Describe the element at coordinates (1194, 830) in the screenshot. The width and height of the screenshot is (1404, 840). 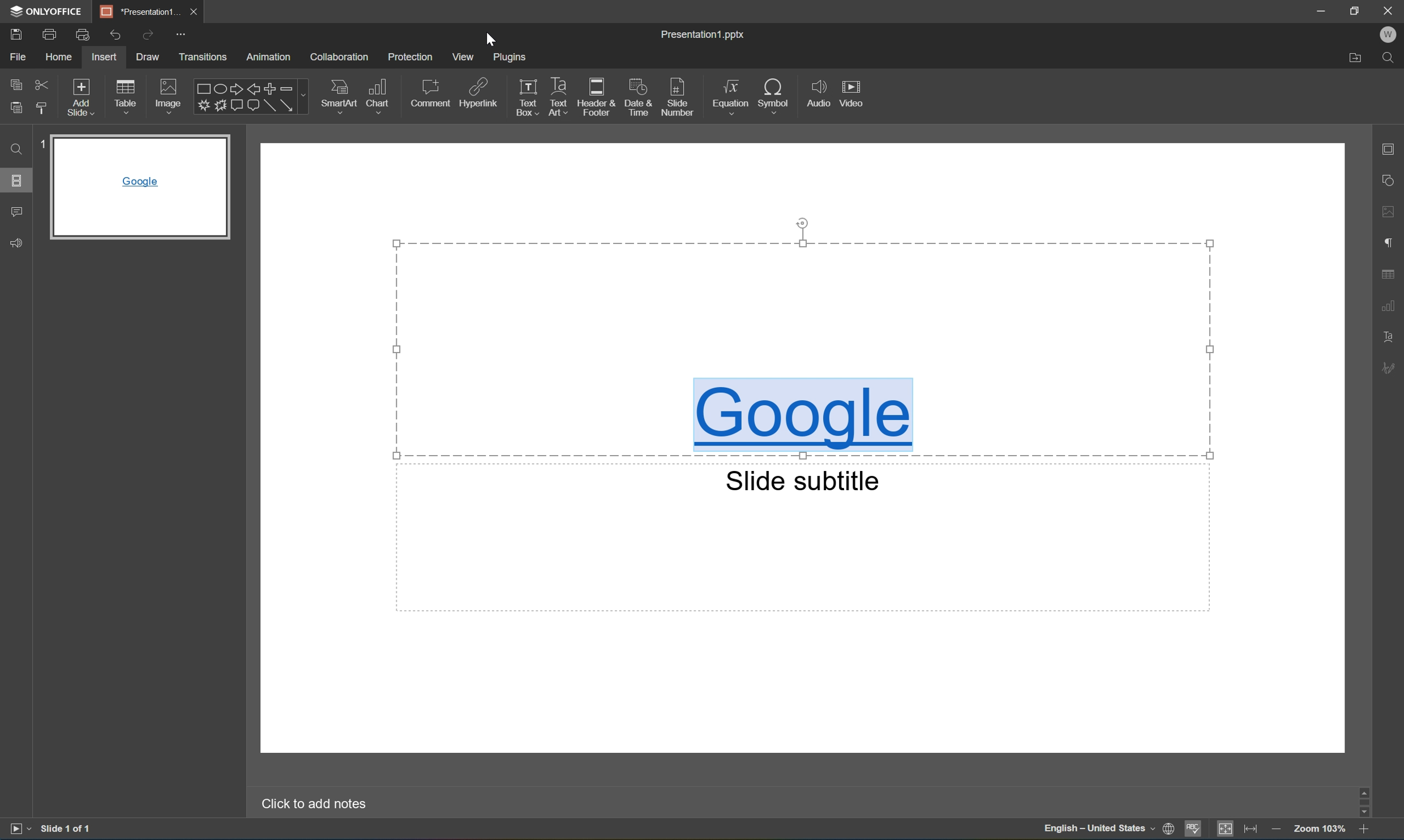
I see `Spell checking` at that location.